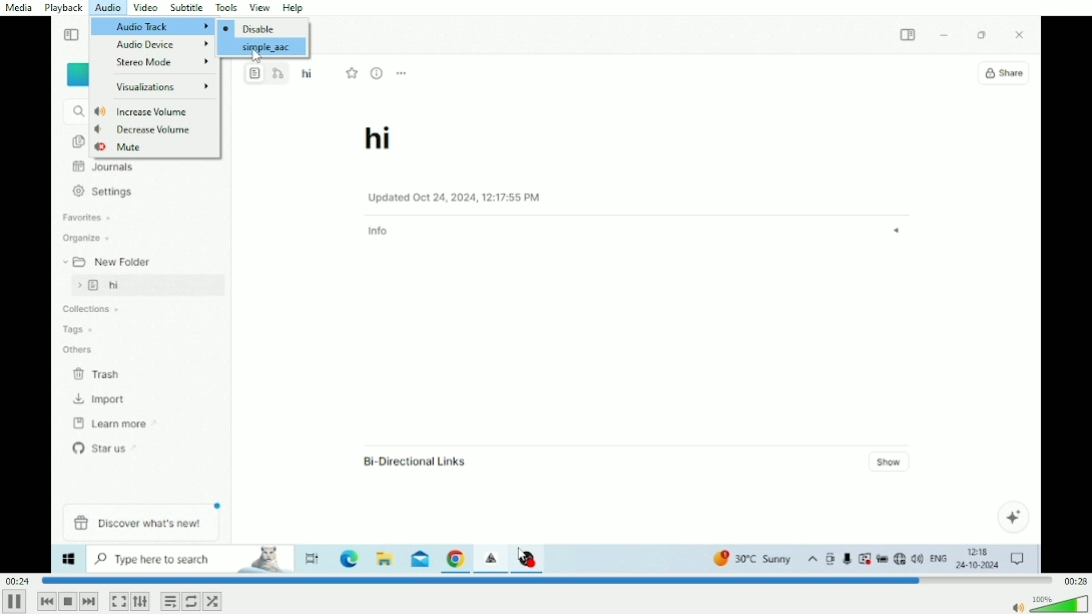 This screenshot has height=614, width=1092. What do you see at coordinates (20, 8) in the screenshot?
I see `Media` at bounding box center [20, 8].